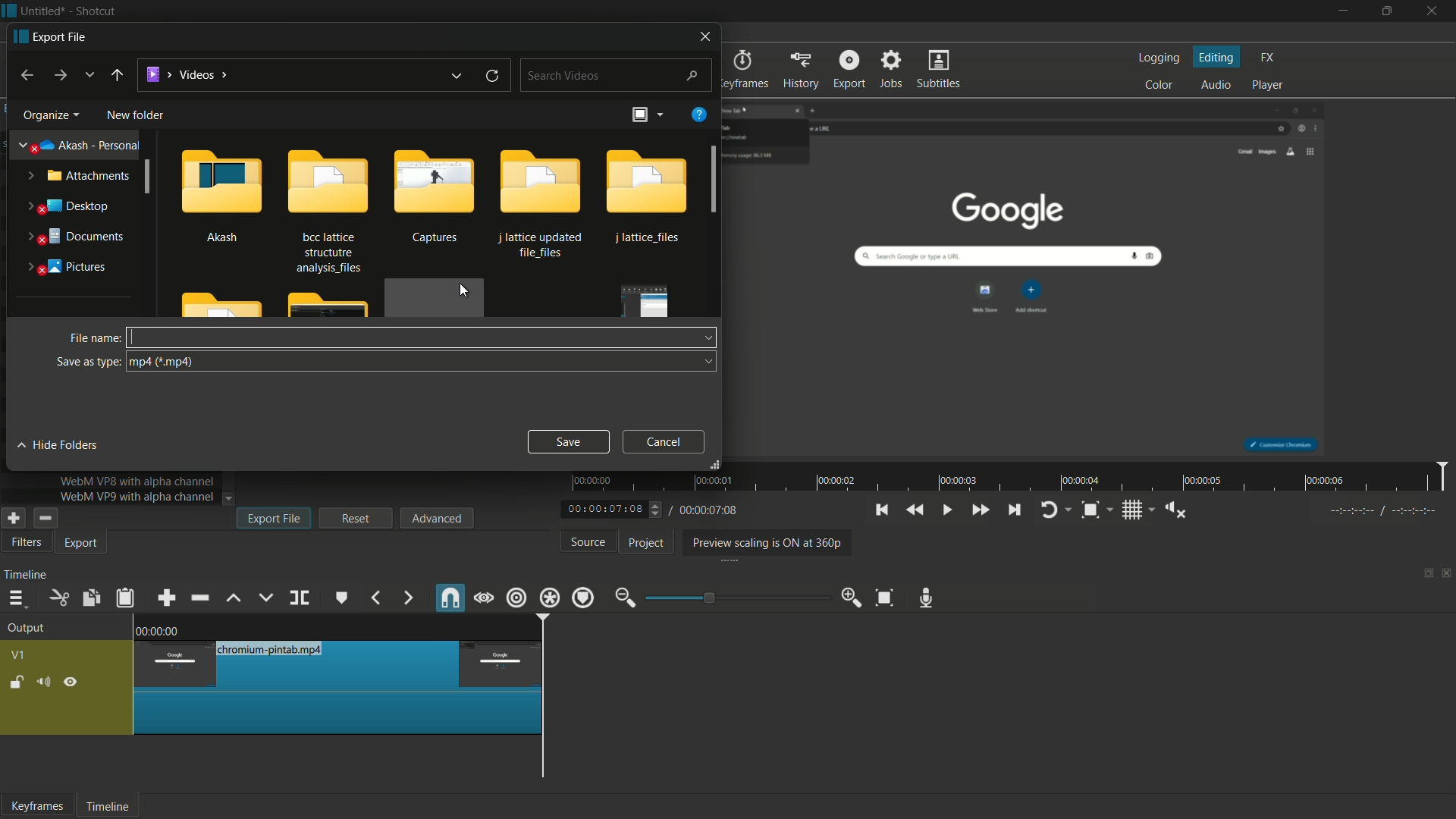 This screenshot has height=819, width=1456. Describe the element at coordinates (87, 362) in the screenshot. I see `save as type` at that location.